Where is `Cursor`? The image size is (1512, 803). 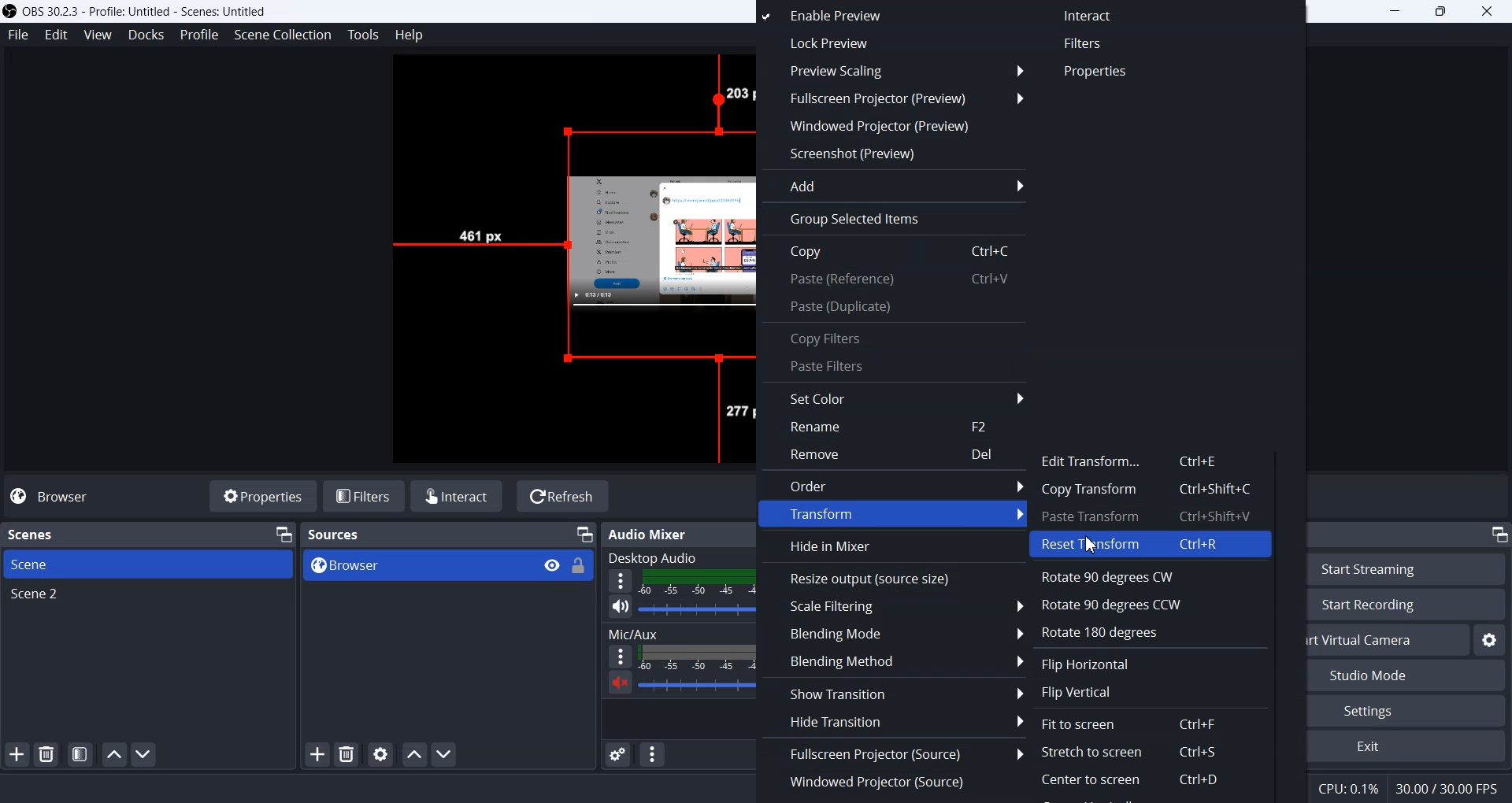
Cursor is located at coordinates (1094, 544).